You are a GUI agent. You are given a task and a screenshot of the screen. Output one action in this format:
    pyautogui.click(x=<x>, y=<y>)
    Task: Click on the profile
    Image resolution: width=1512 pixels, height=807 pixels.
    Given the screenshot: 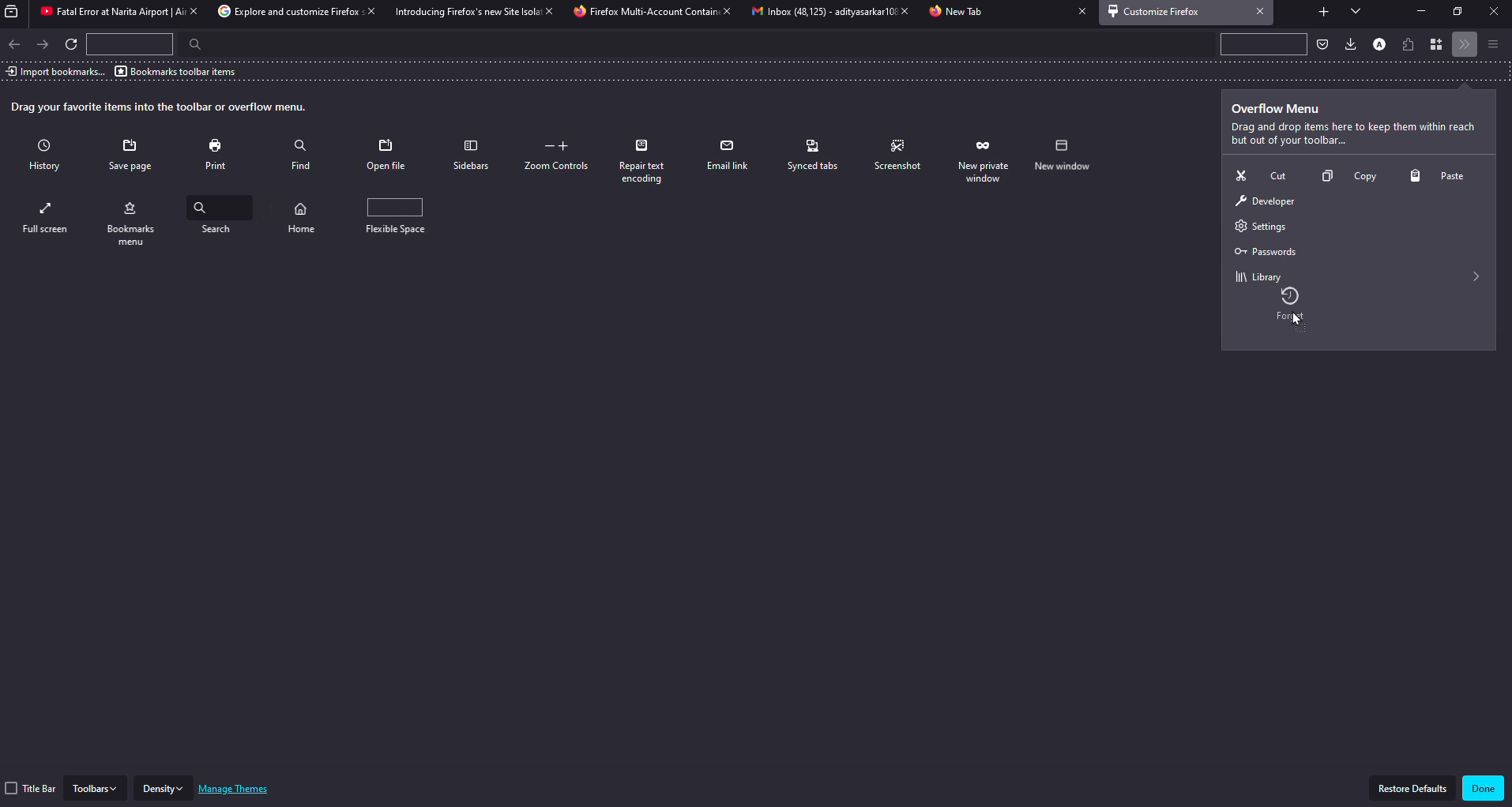 What is the action you would take?
    pyautogui.click(x=1378, y=43)
    